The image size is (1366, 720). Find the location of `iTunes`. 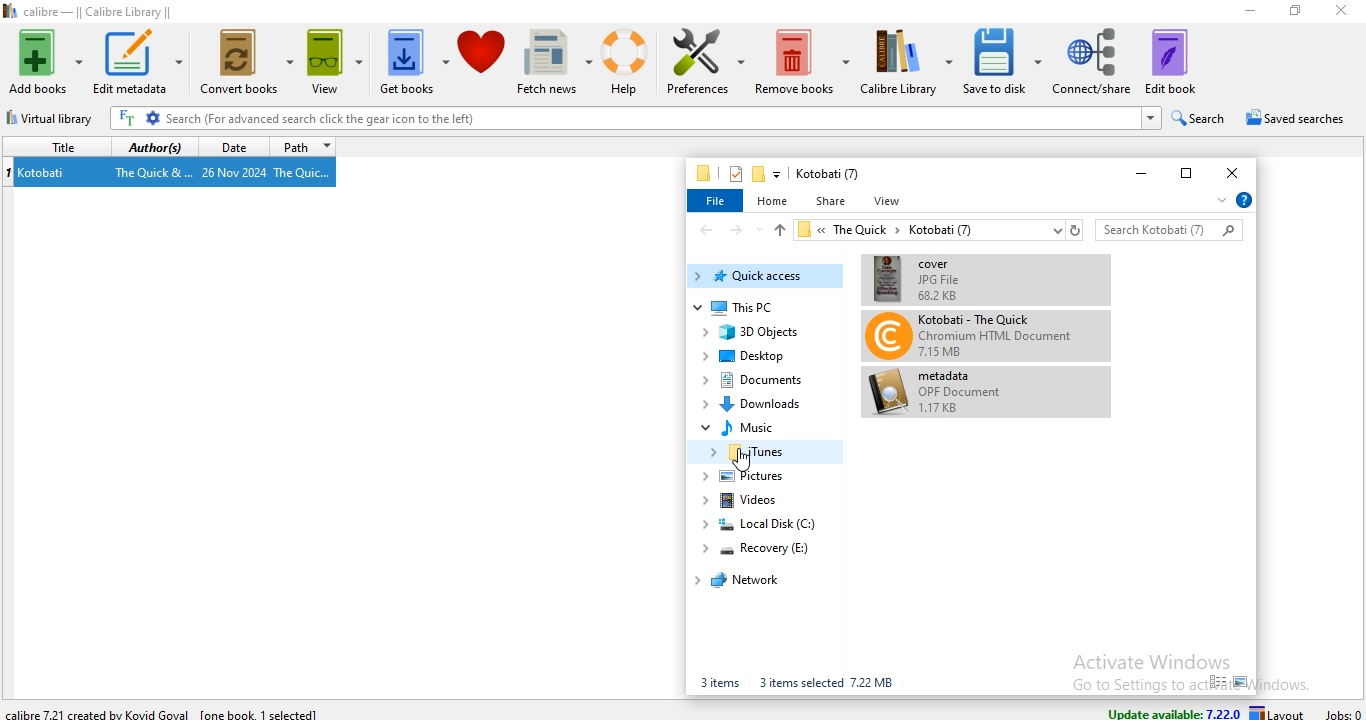

iTunes is located at coordinates (761, 452).